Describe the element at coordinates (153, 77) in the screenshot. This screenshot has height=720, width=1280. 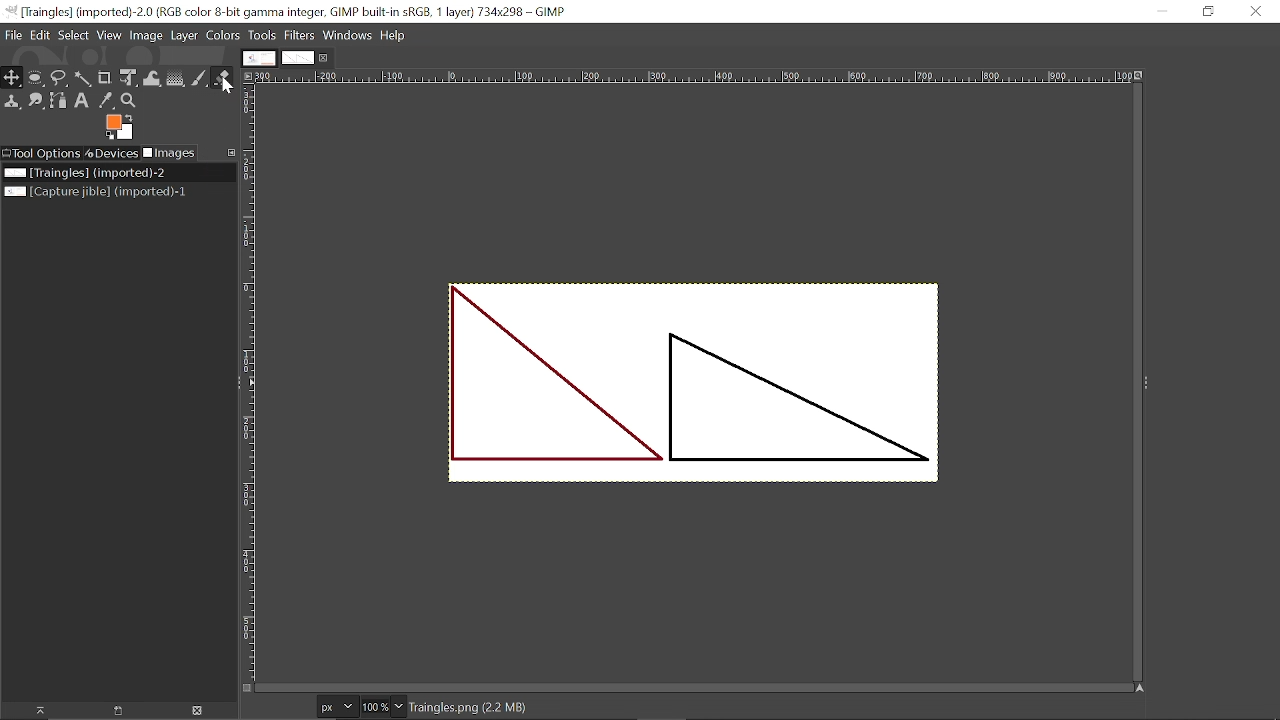
I see `Warp text tool` at that location.